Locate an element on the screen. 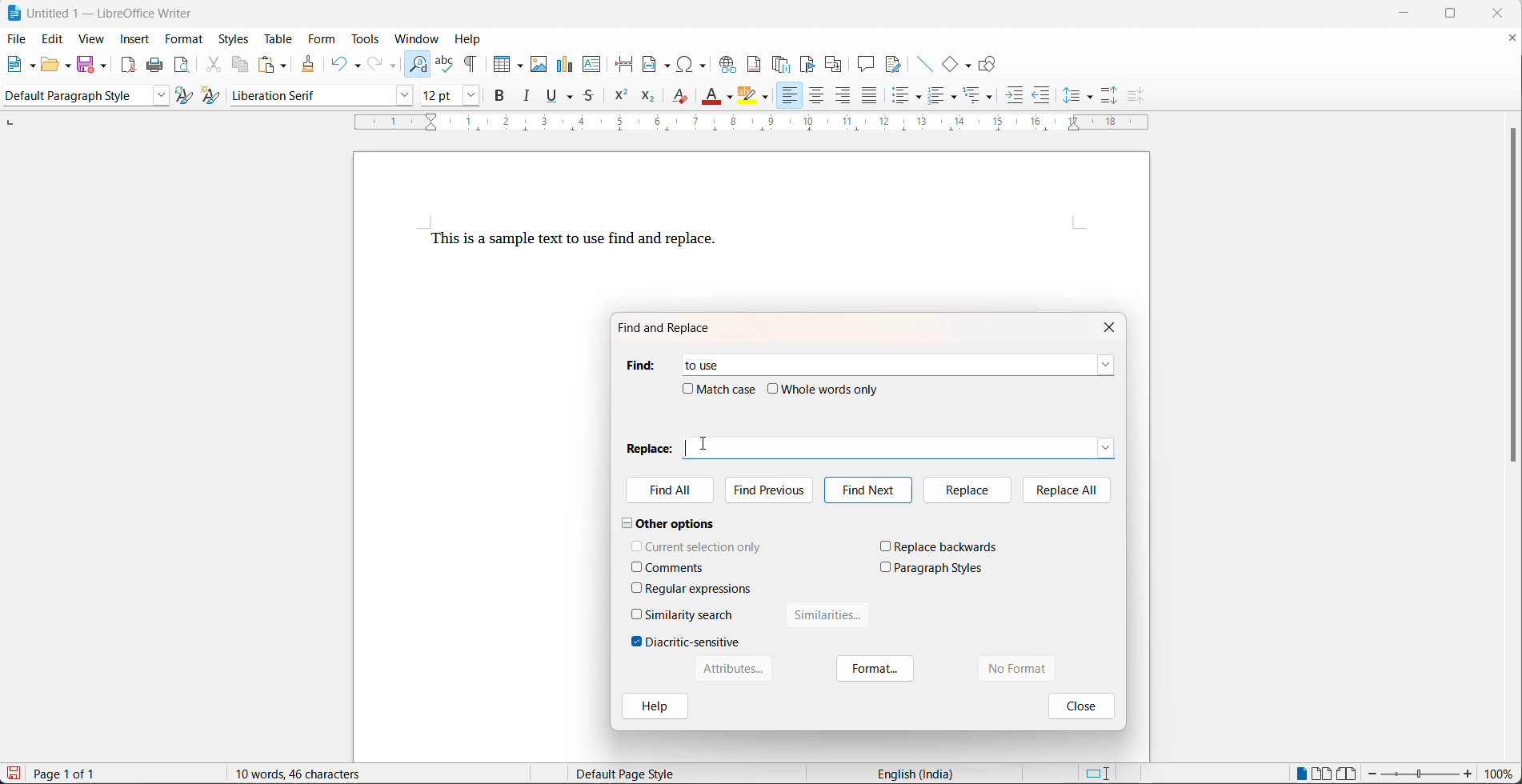 This screenshot has height=784, width=1522. replace textbox is located at coordinates (909, 446).